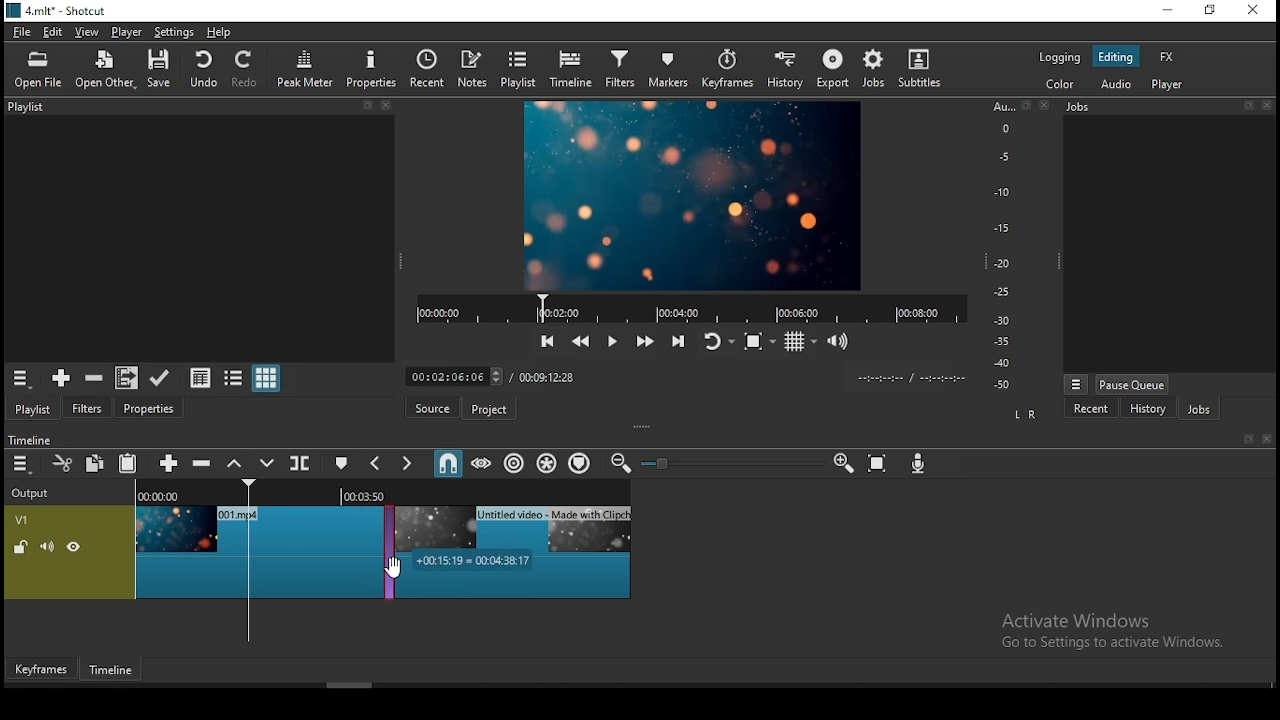  I want to click on keyframes, so click(731, 69).